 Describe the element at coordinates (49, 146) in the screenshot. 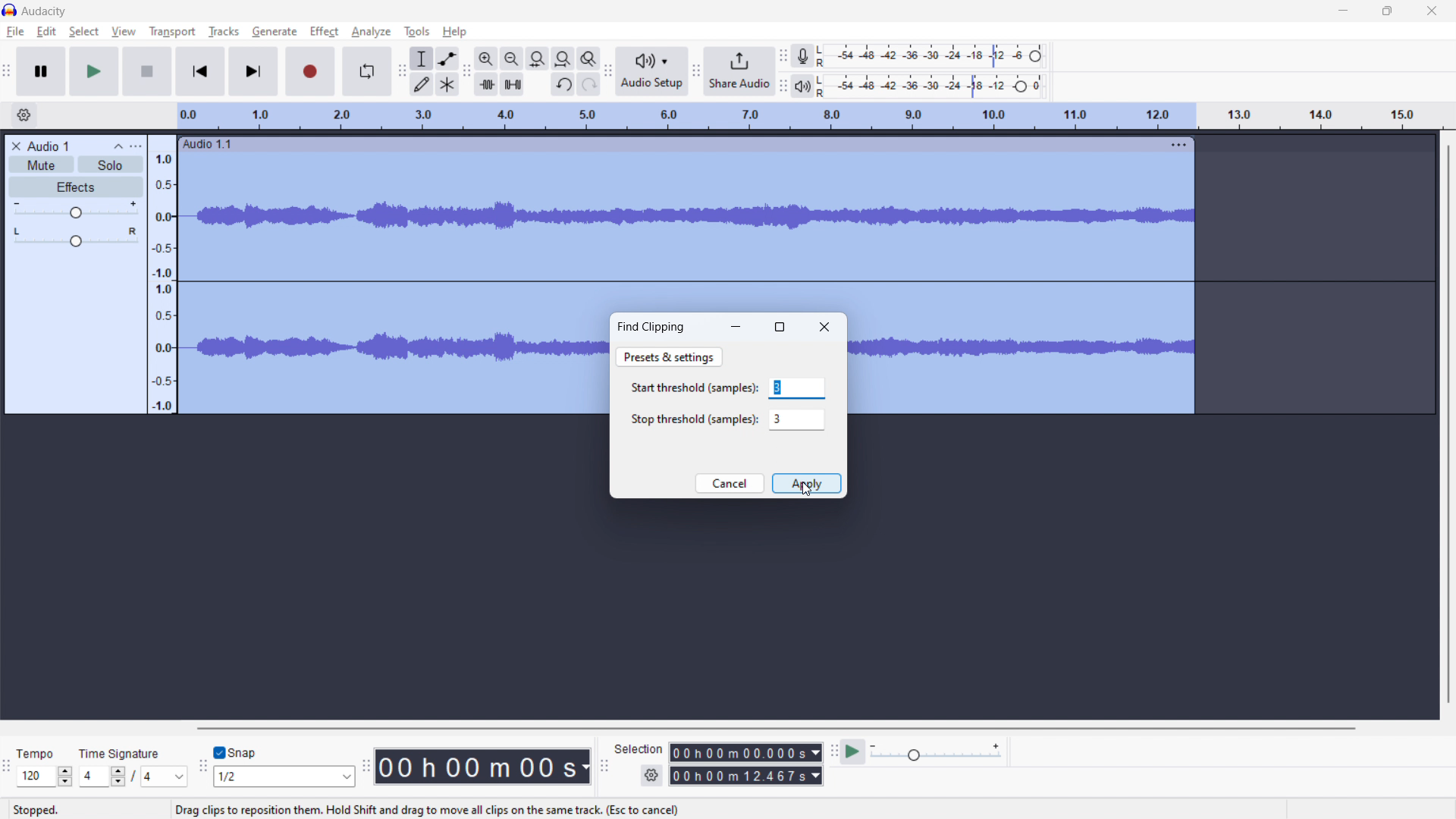

I see `recording title` at that location.